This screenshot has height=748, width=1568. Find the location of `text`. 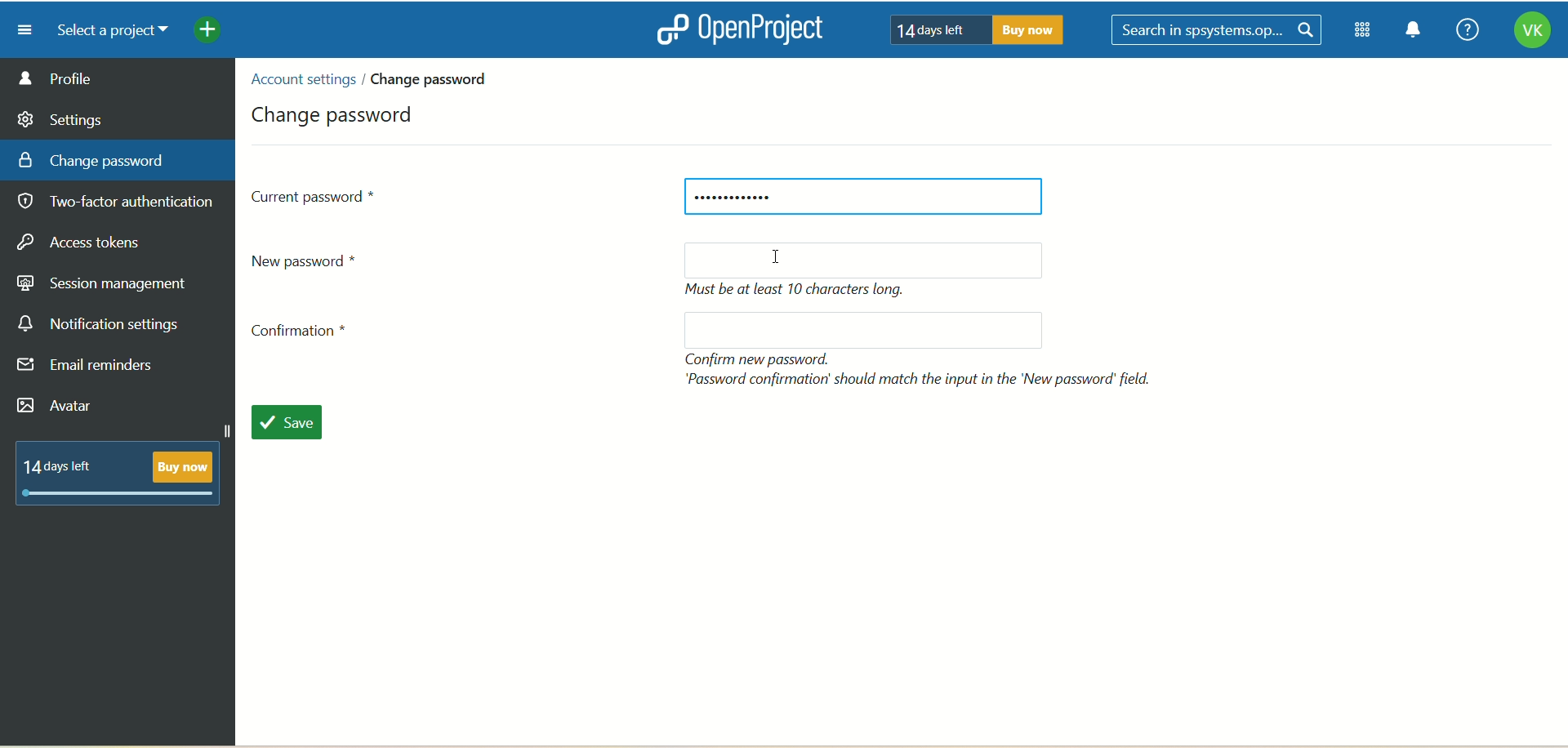

text is located at coordinates (125, 470).